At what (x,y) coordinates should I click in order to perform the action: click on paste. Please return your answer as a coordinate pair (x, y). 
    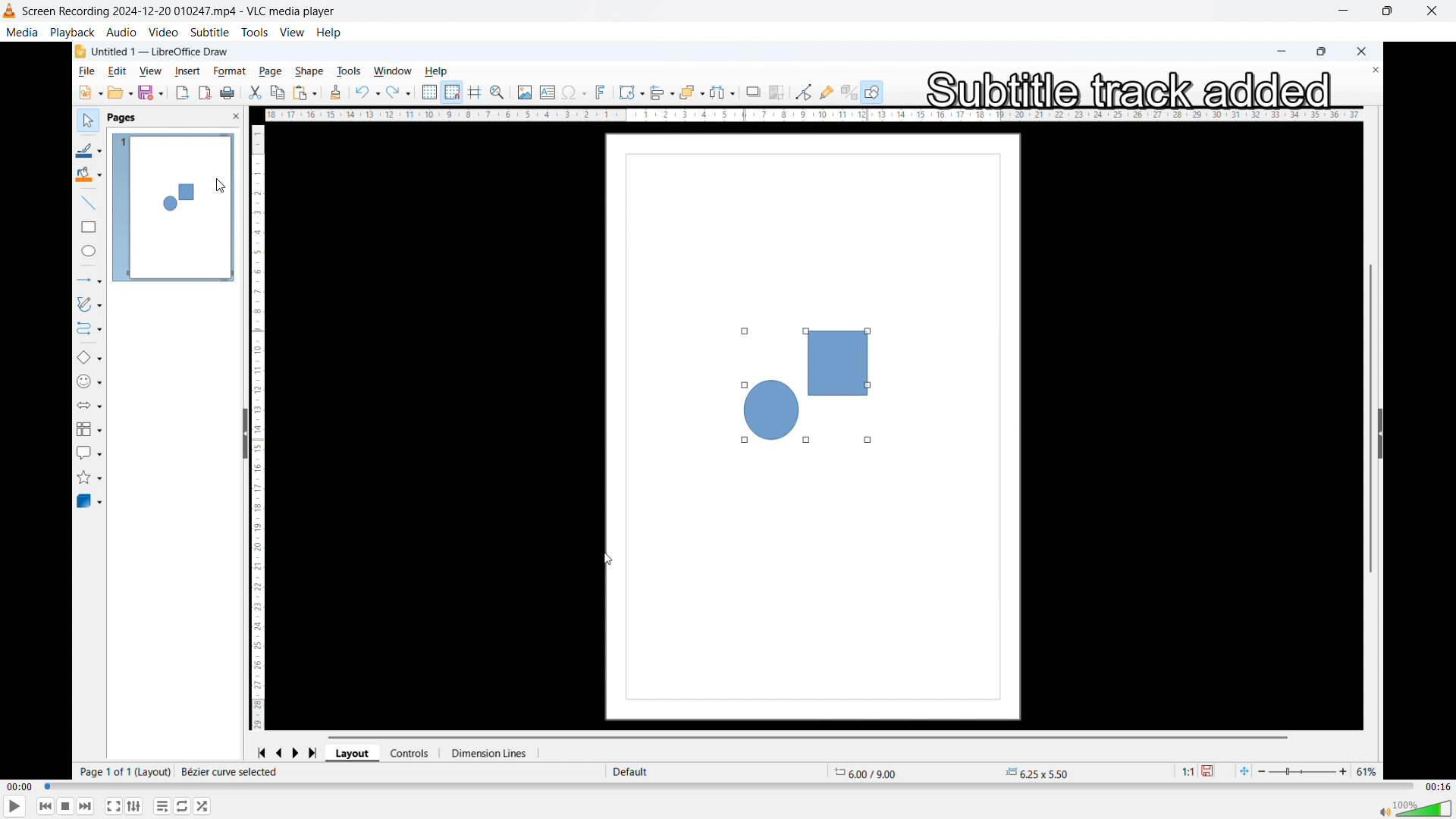
    Looking at the image, I should click on (305, 92).